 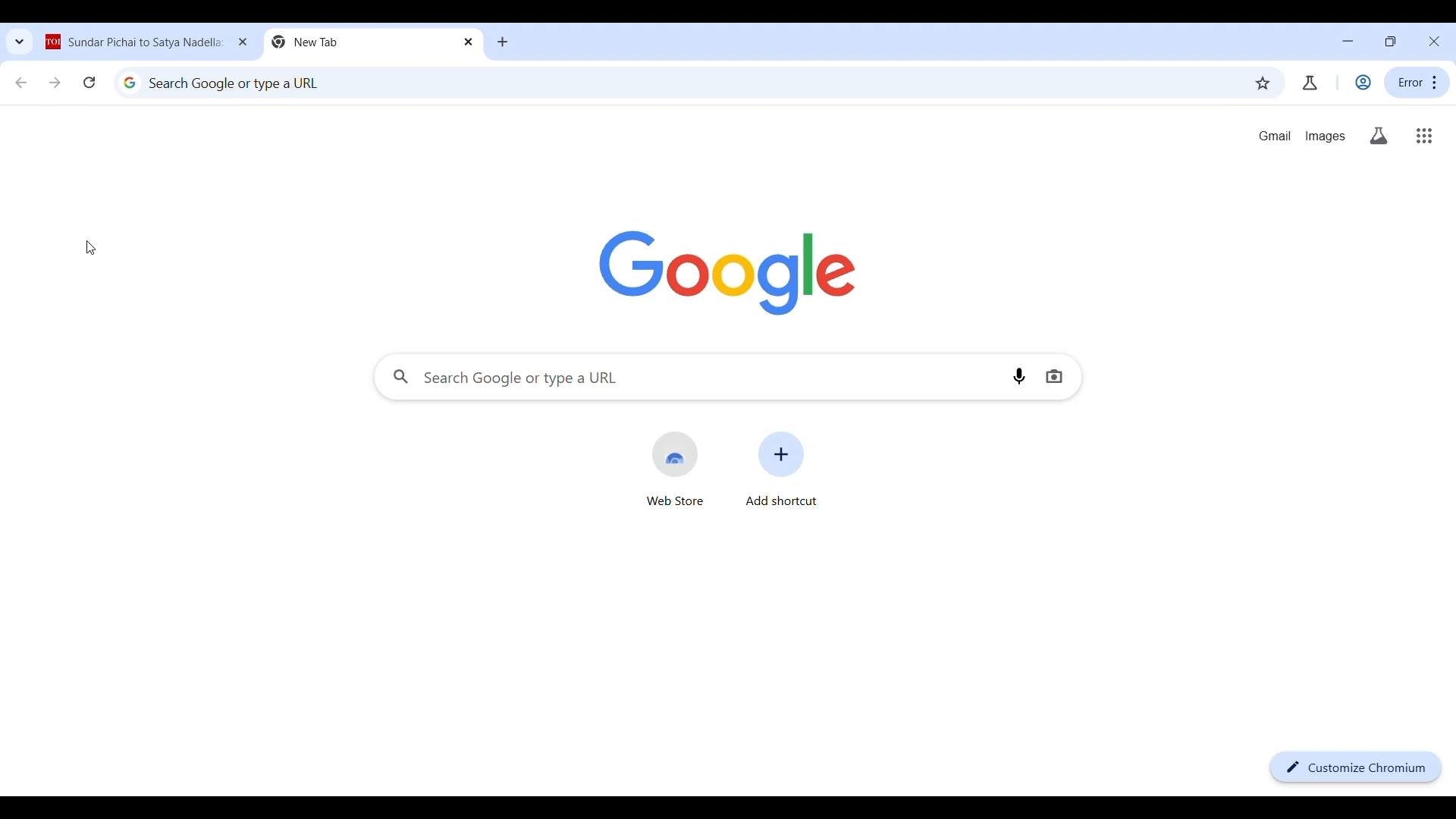 I want to click on Add new tab, so click(x=503, y=42).